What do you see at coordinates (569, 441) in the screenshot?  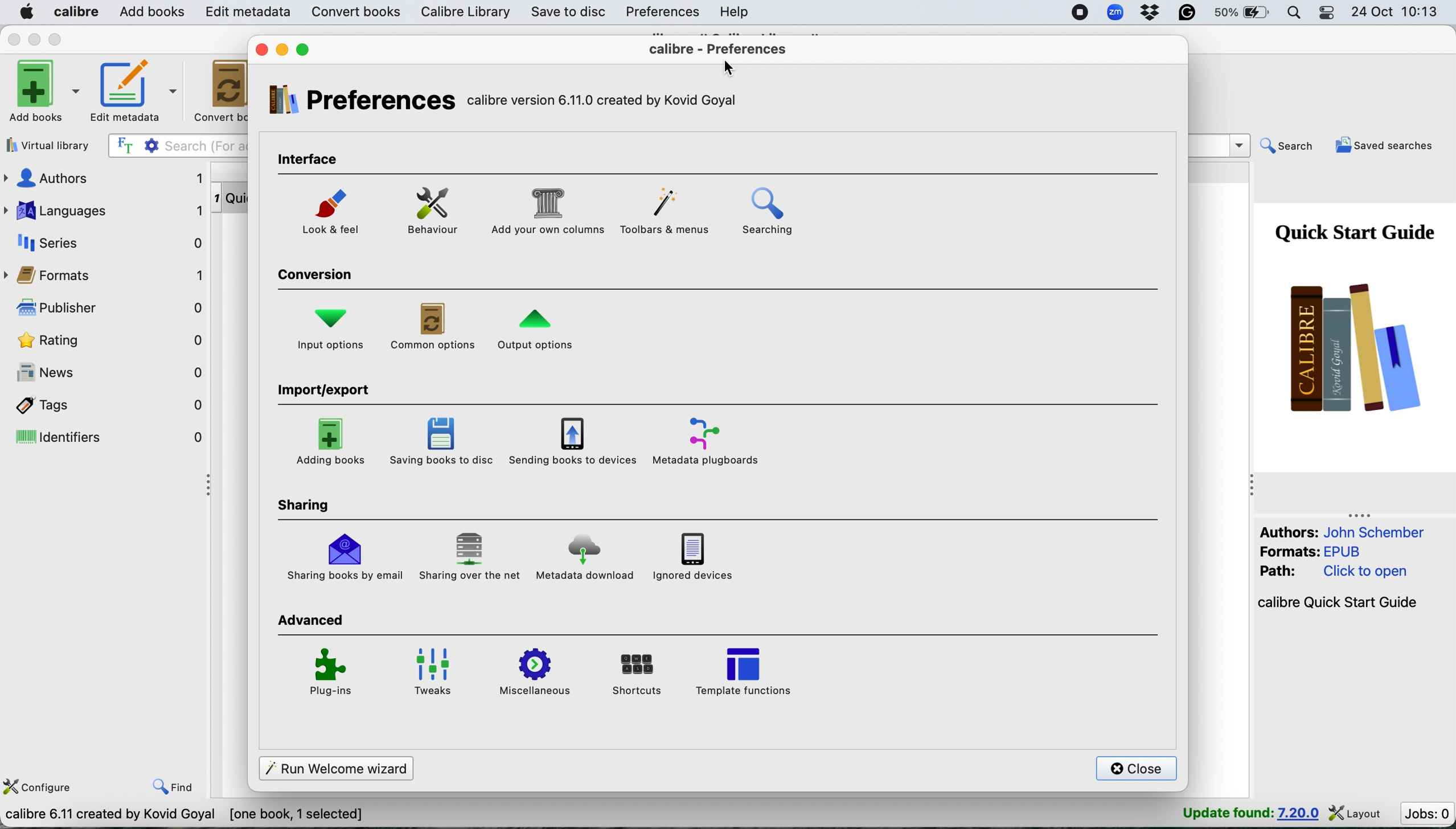 I see `saving books to devices` at bounding box center [569, 441].